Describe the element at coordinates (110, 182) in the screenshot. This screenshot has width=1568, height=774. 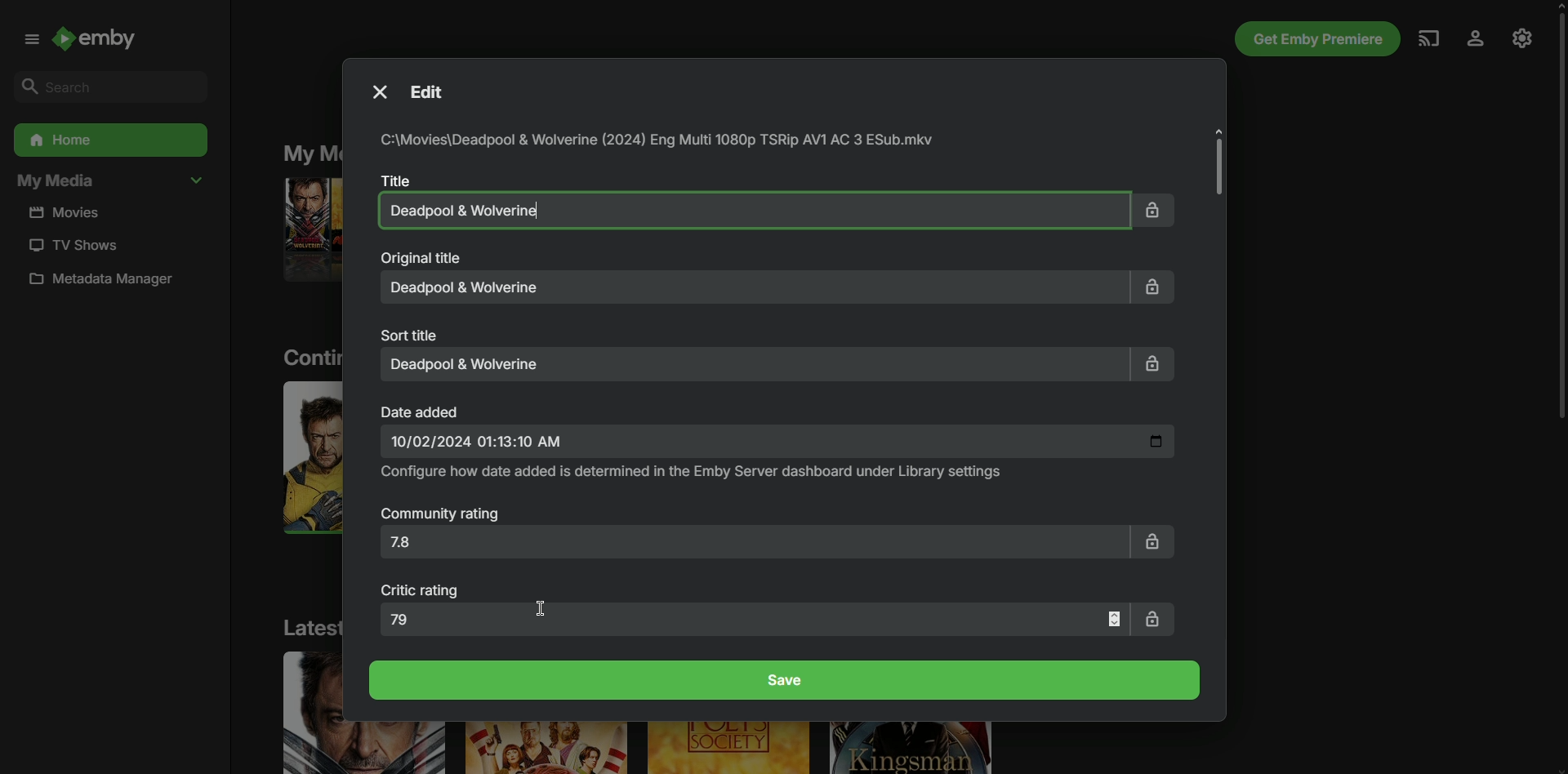
I see `My Media` at that location.